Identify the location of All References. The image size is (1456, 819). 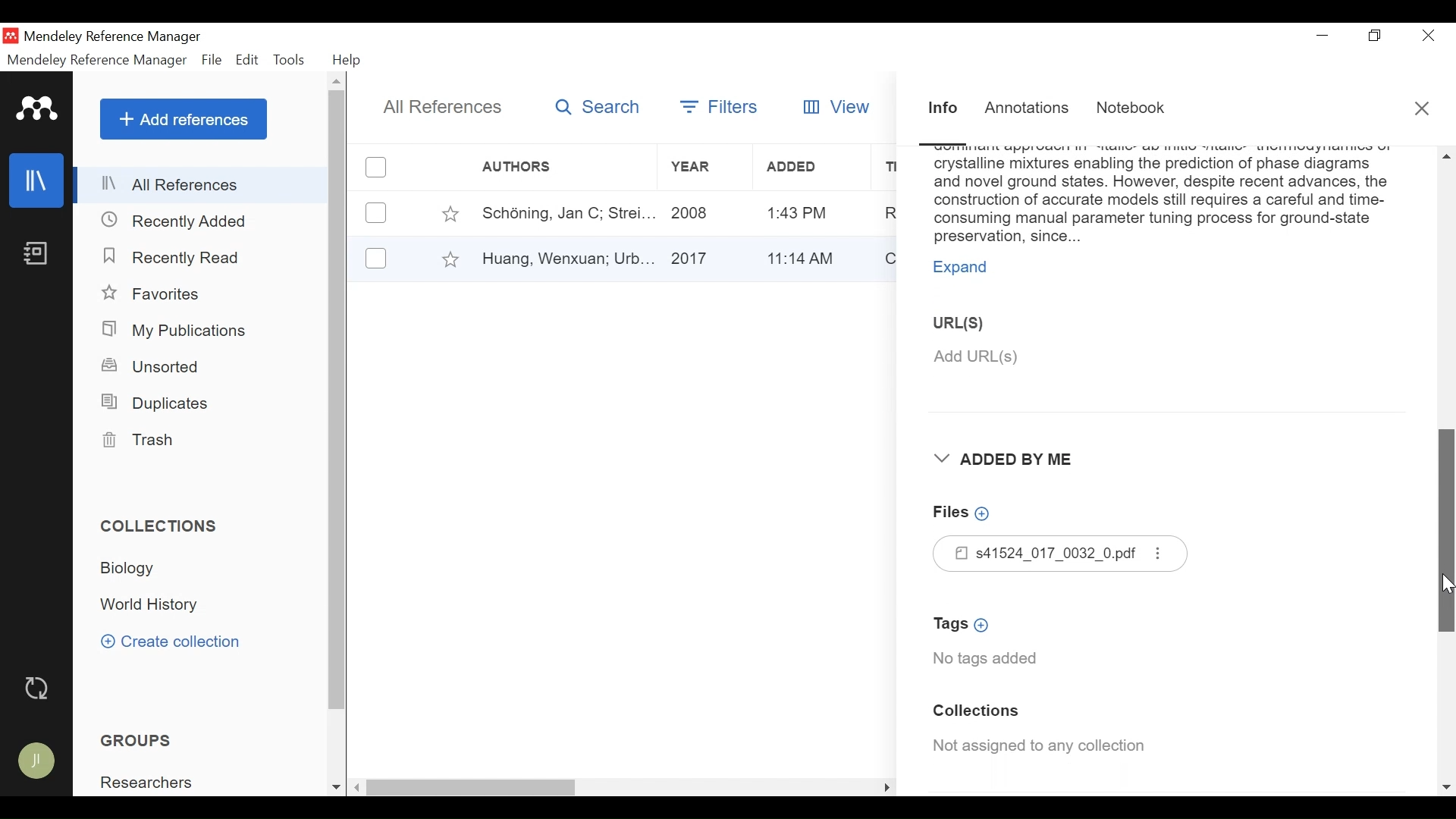
(202, 184).